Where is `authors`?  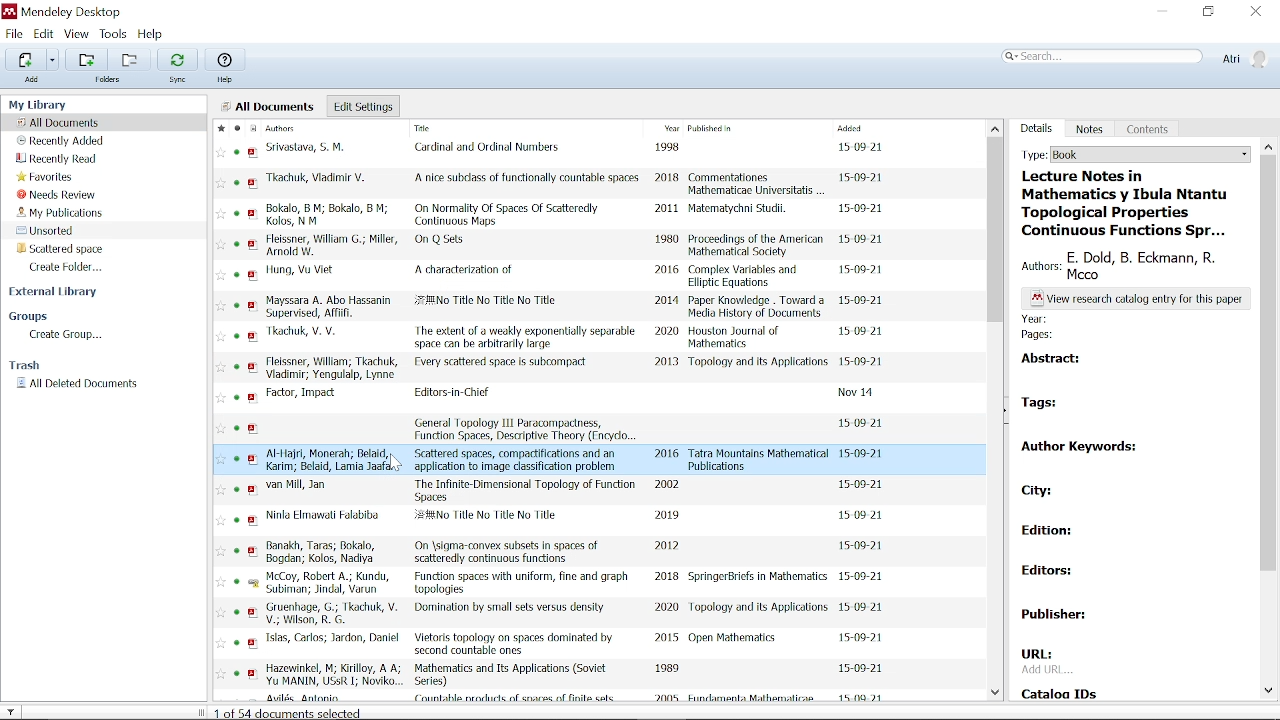
authors is located at coordinates (329, 215).